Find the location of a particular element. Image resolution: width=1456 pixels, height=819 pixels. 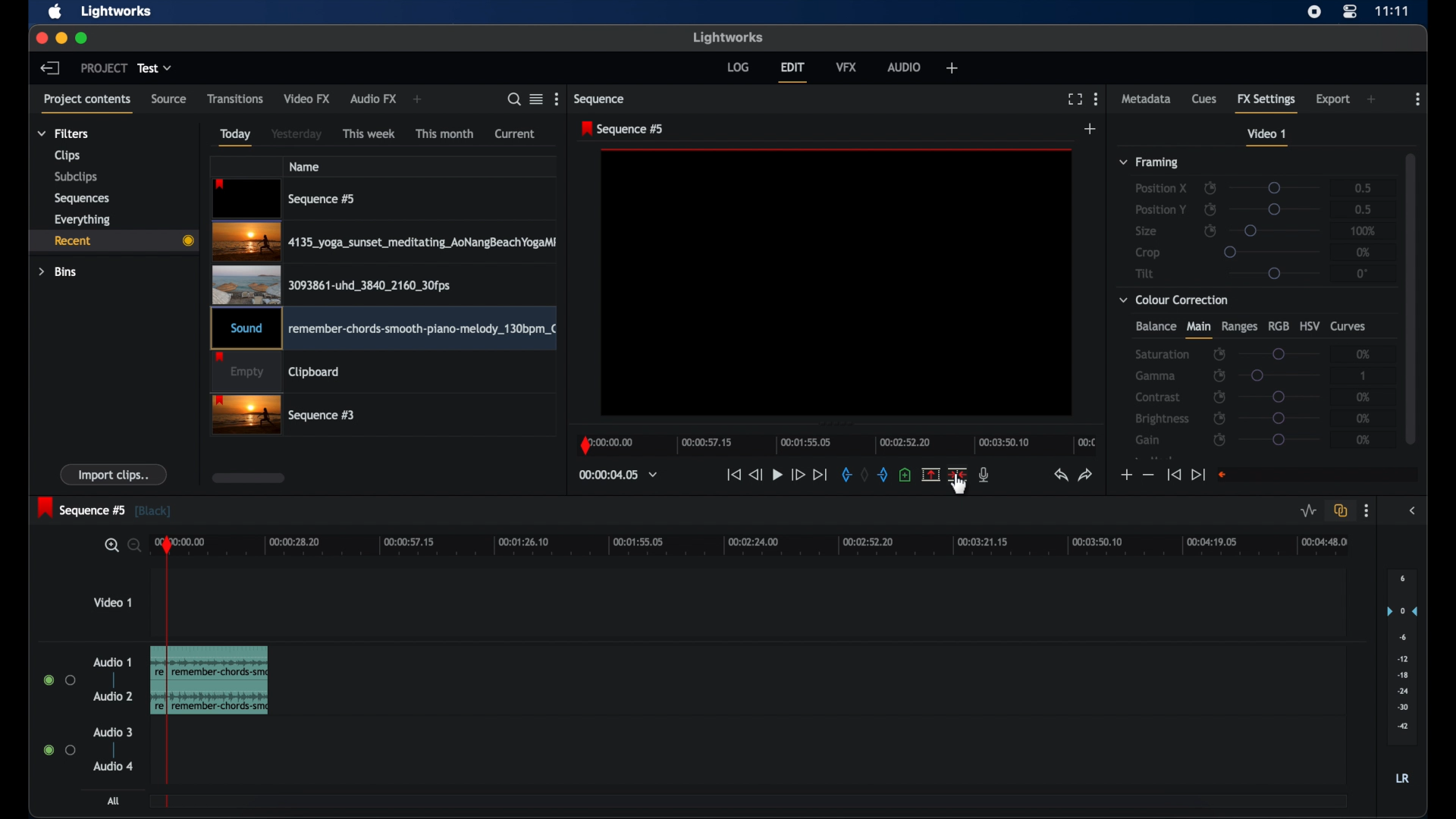

pause  is located at coordinates (777, 475).